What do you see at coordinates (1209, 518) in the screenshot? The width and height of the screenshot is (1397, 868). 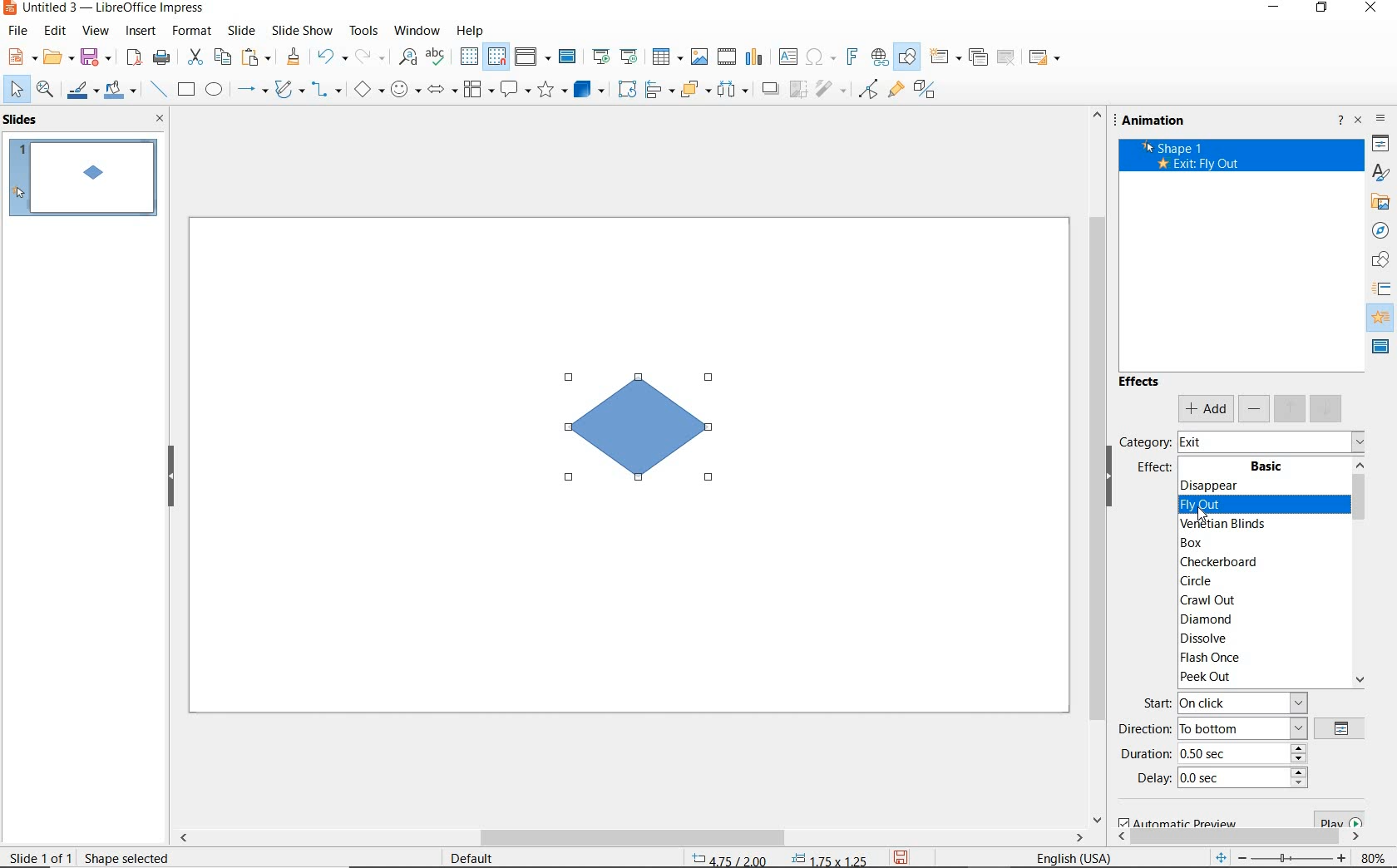 I see `cursor` at bounding box center [1209, 518].